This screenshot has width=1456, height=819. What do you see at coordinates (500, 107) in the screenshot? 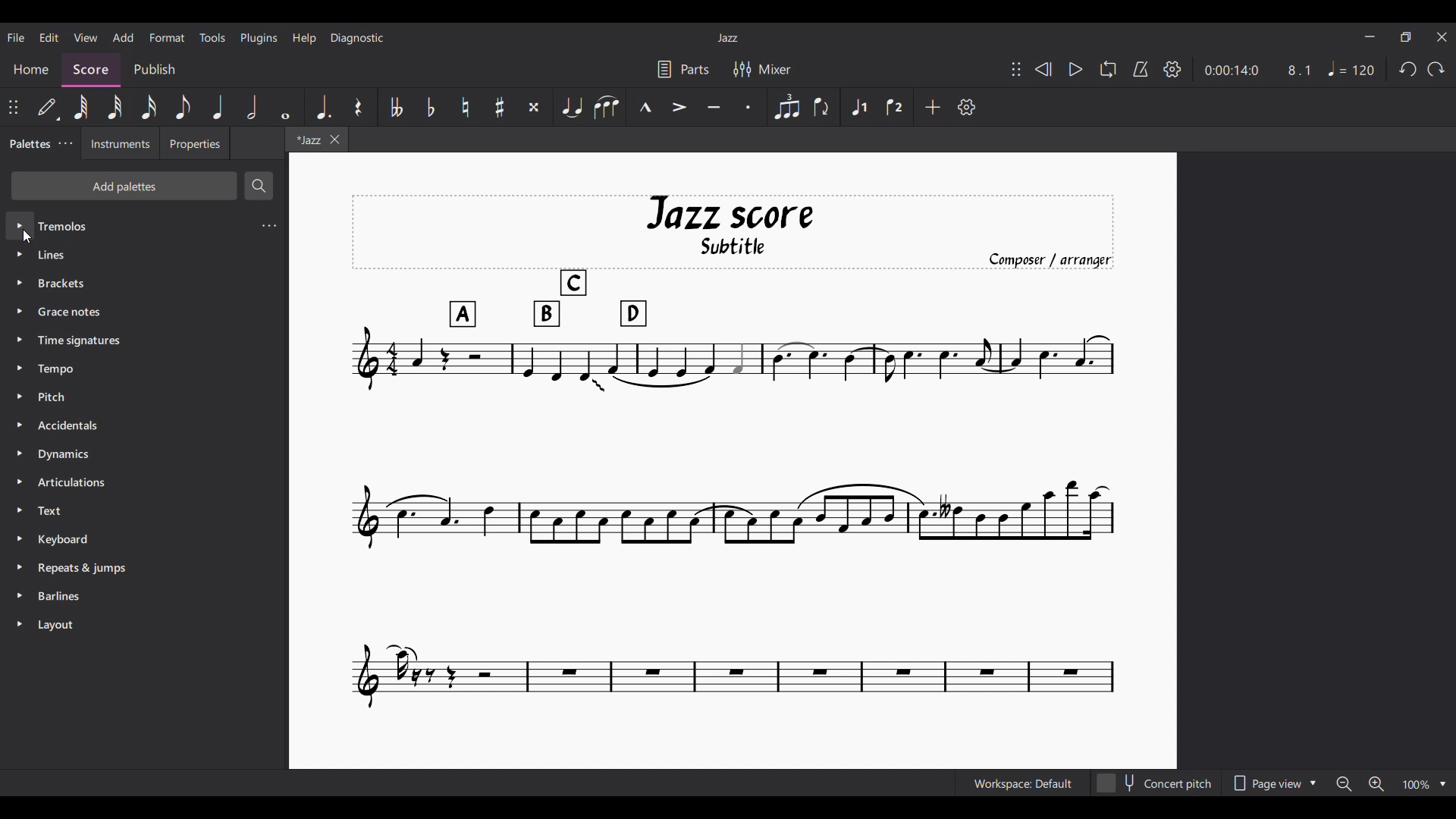
I see `Toggle sharp` at bounding box center [500, 107].